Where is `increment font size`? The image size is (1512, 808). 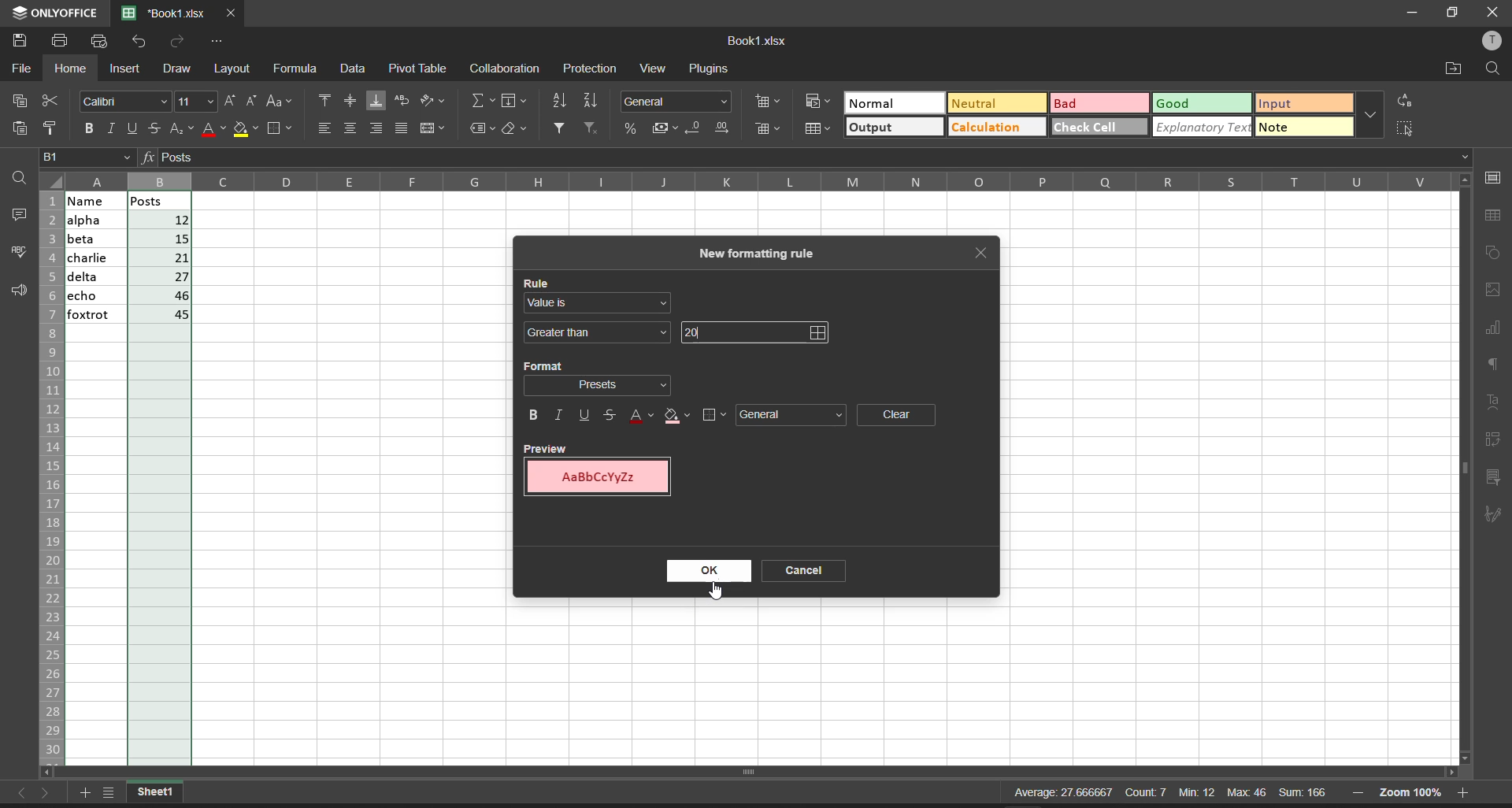
increment font size is located at coordinates (230, 95).